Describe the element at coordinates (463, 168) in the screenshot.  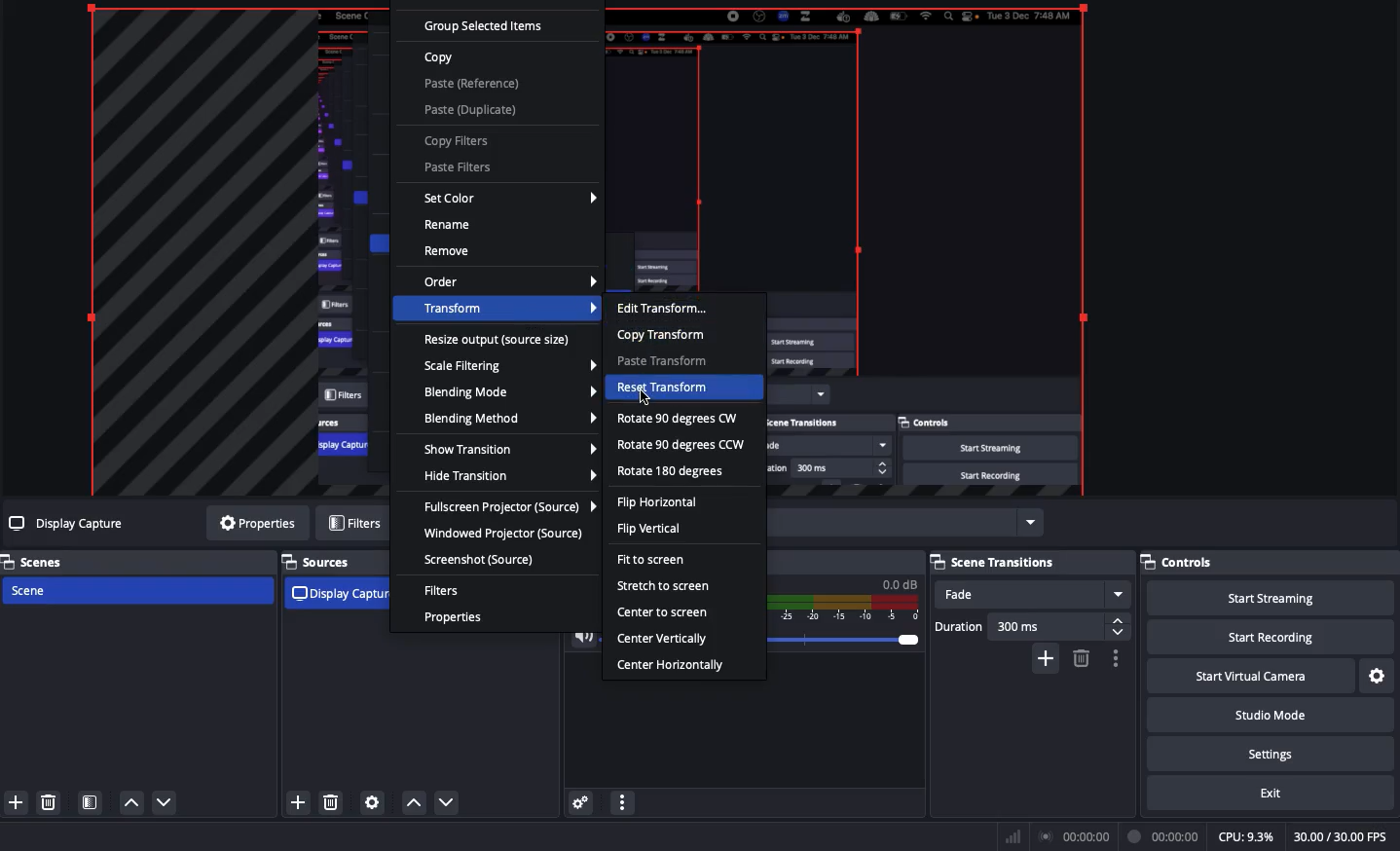
I see `Paste filters` at that location.